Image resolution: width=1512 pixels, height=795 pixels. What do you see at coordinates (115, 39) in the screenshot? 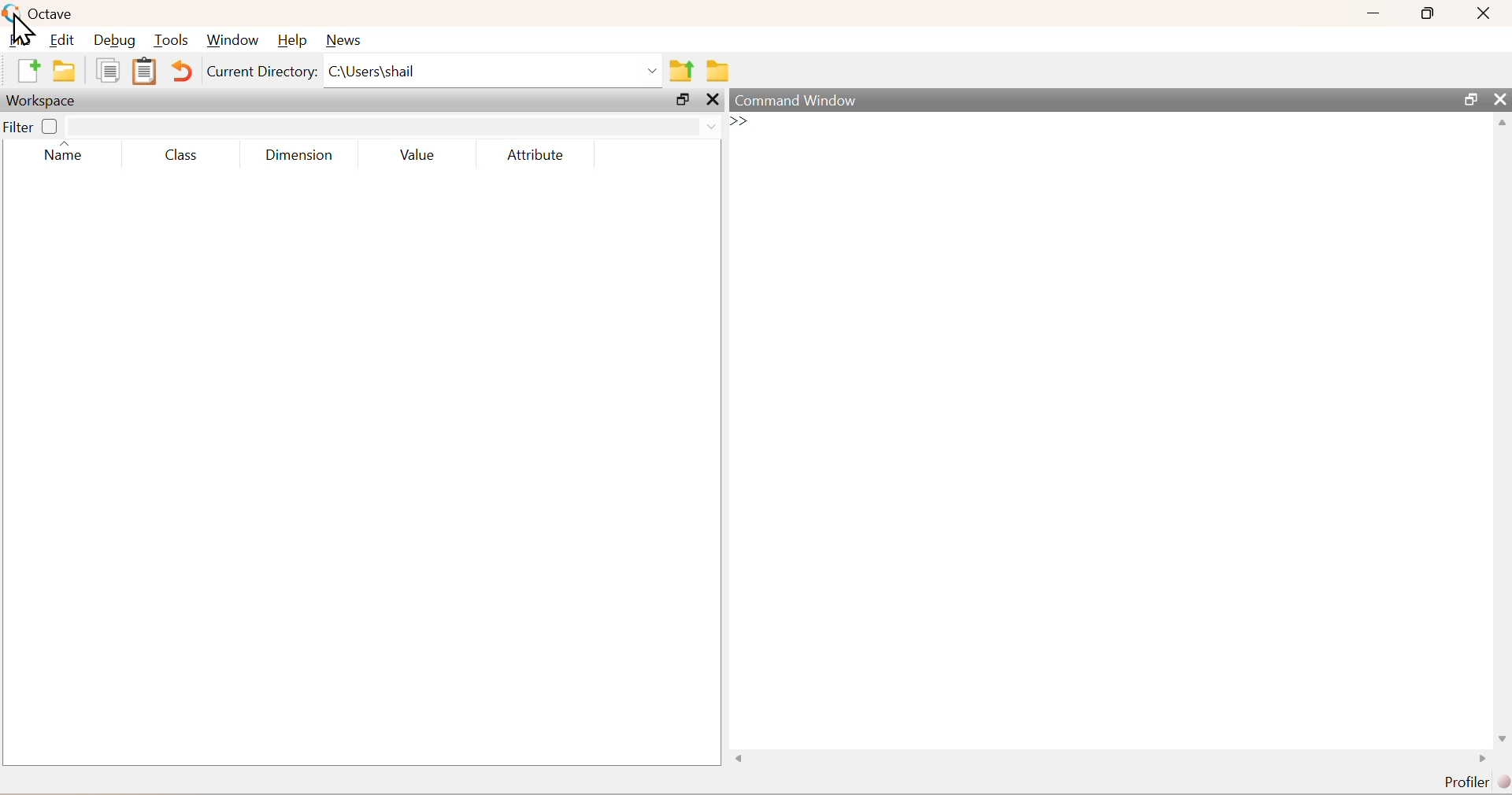
I see `Debug` at bounding box center [115, 39].